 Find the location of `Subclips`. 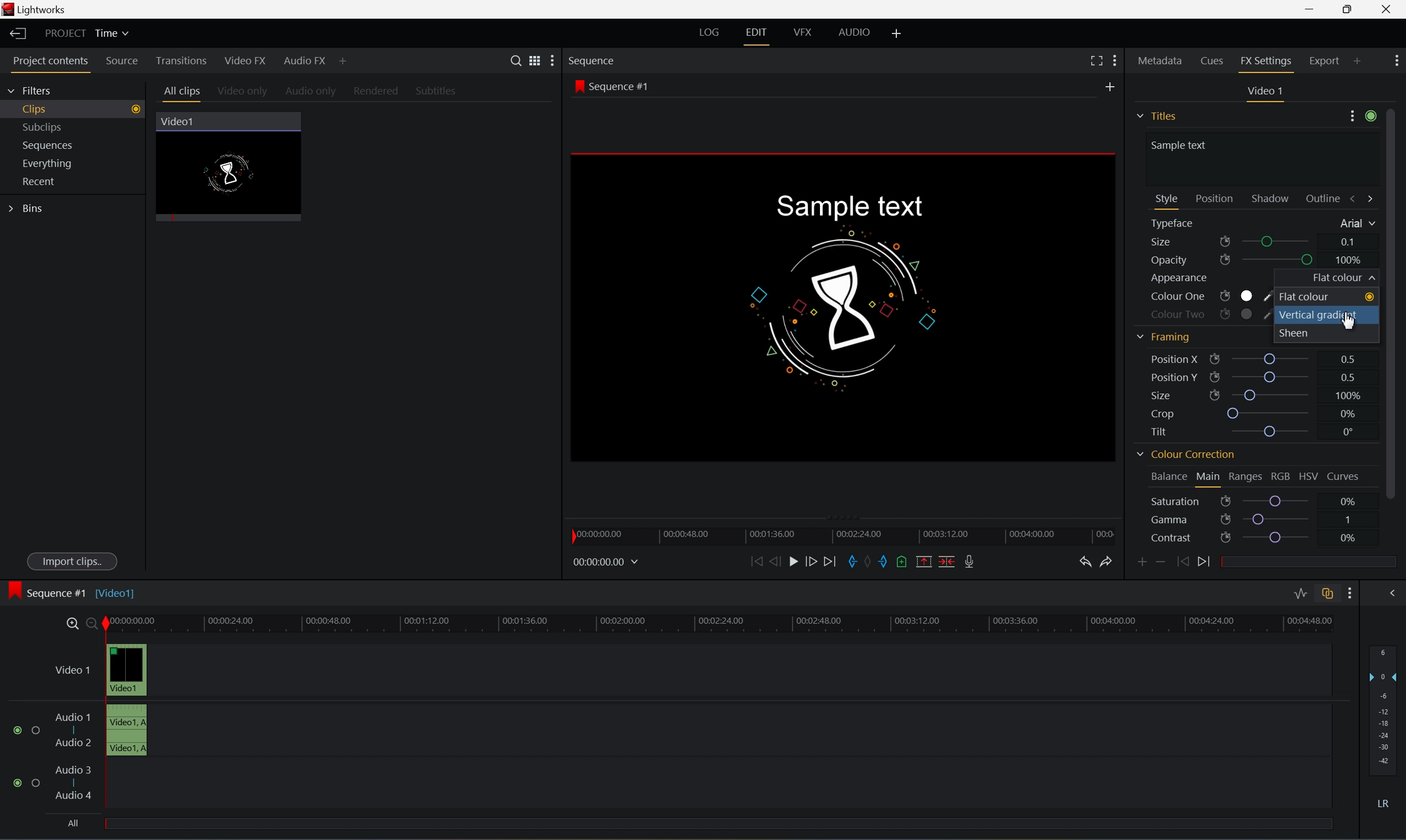

Subclips is located at coordinates (45, 125).